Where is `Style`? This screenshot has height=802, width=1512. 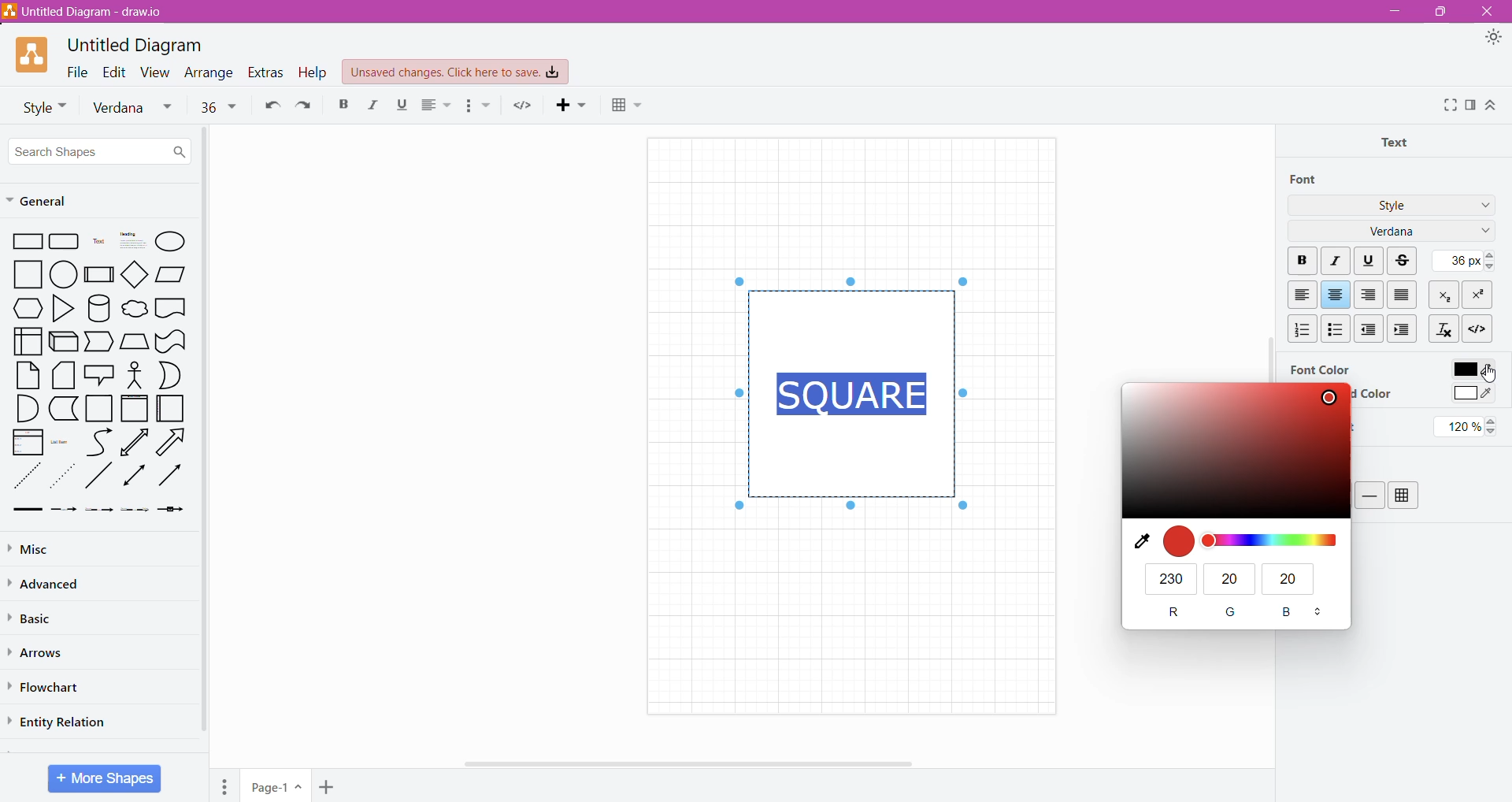
Style is located at coordinates (1392, 204).